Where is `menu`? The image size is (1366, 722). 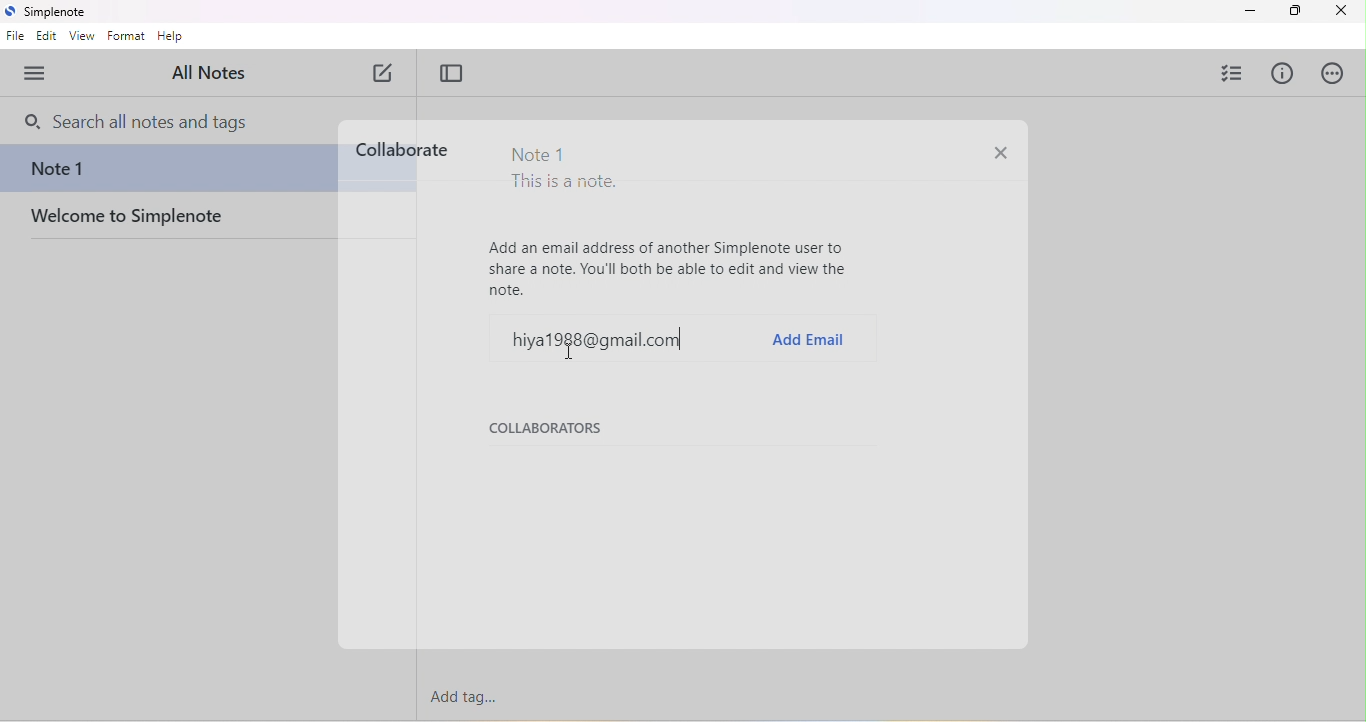 menu is located at coordinates (41, 72).